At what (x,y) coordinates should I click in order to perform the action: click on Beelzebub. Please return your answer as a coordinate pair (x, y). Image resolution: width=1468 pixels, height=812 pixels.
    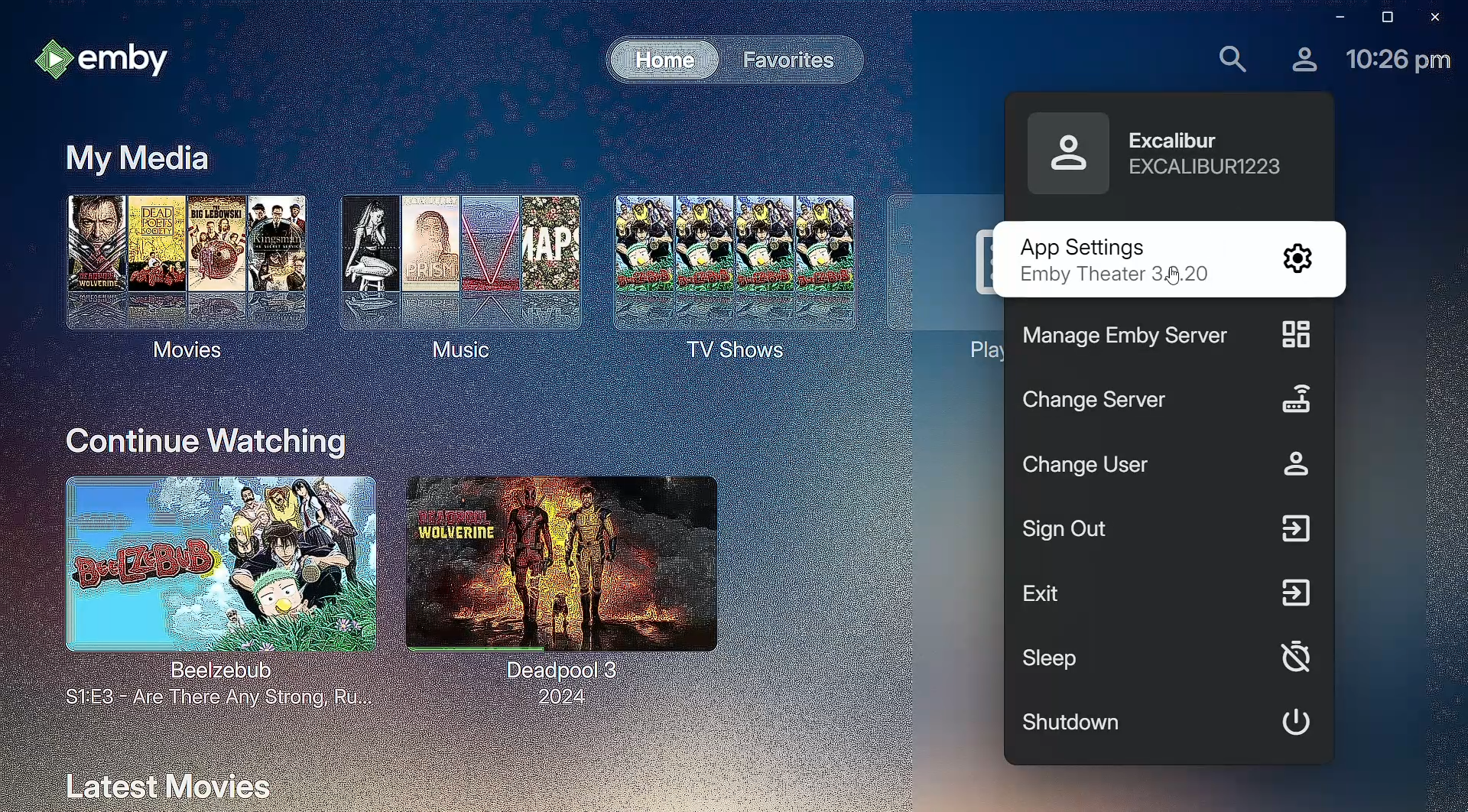
    Looking at the image, I should click on (211, 593).